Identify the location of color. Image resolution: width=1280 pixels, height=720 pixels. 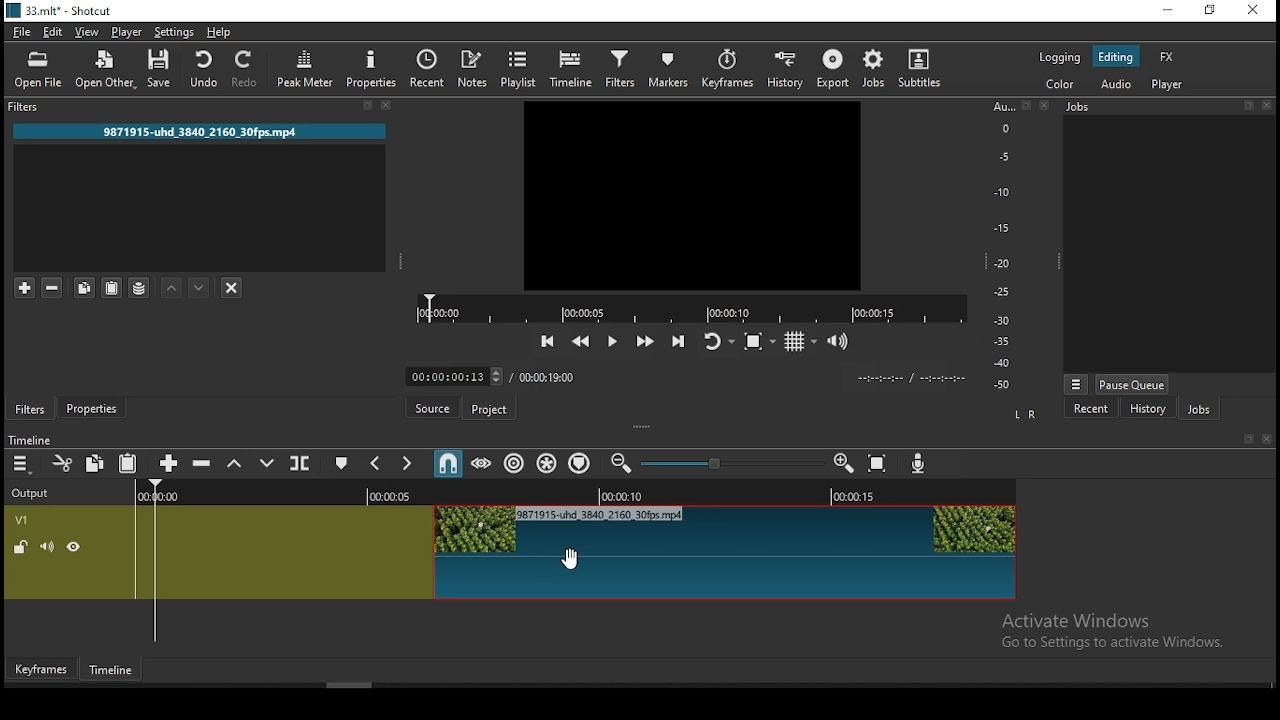
(1063, 86).